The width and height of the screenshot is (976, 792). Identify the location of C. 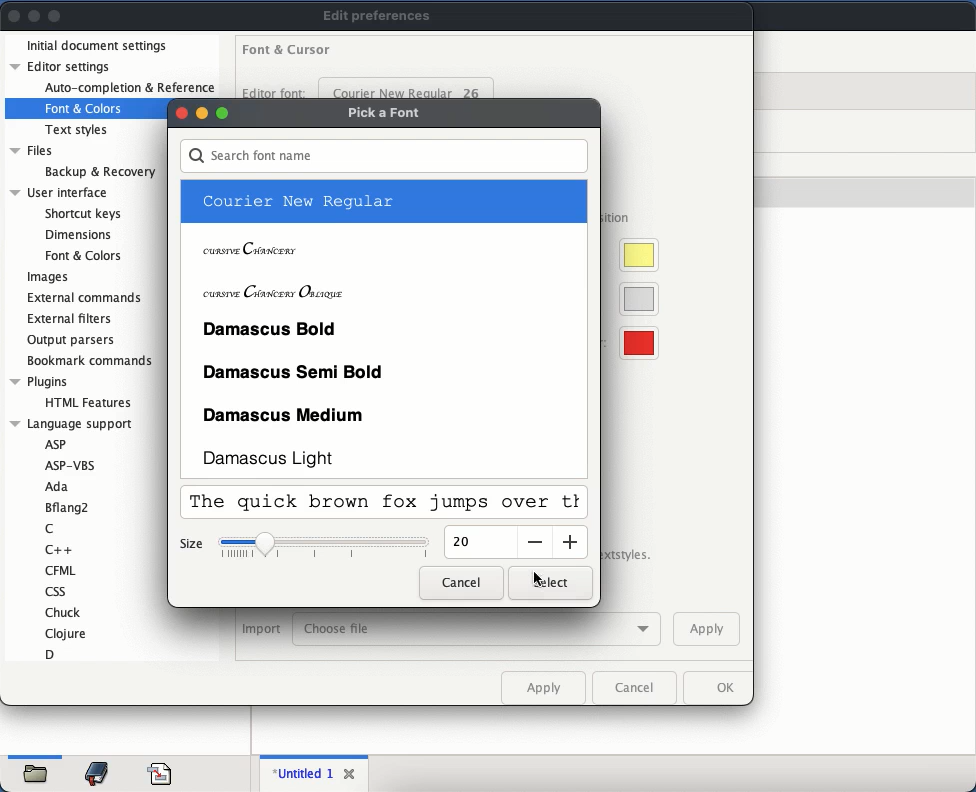
(51, 528).